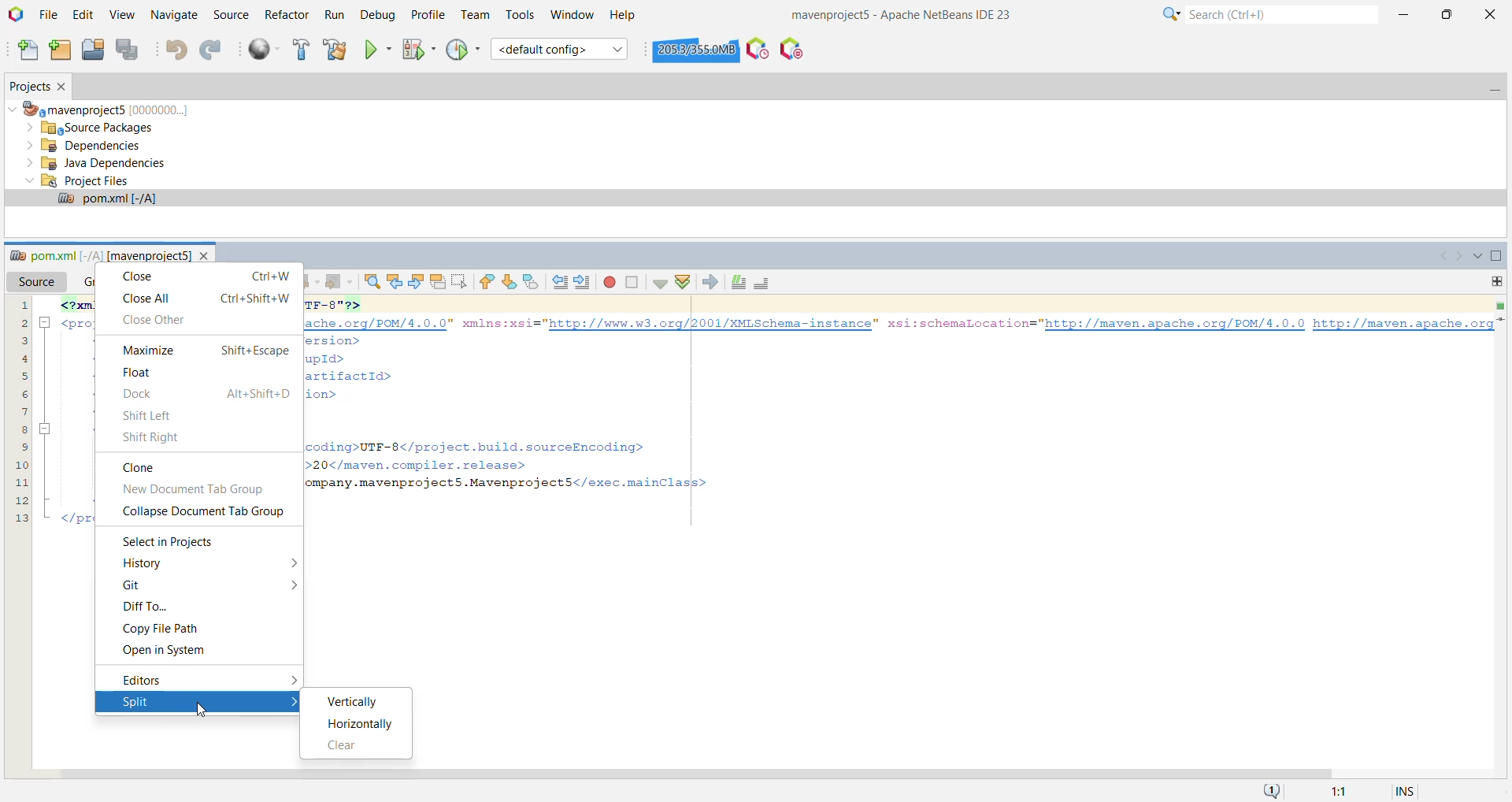 Image resolution: width=1512 pixels, height=802 pixels. What do you see at coordinates (161, 628) in the screenshot?
I see `Copy File Path` at bounding box center [161, 628].